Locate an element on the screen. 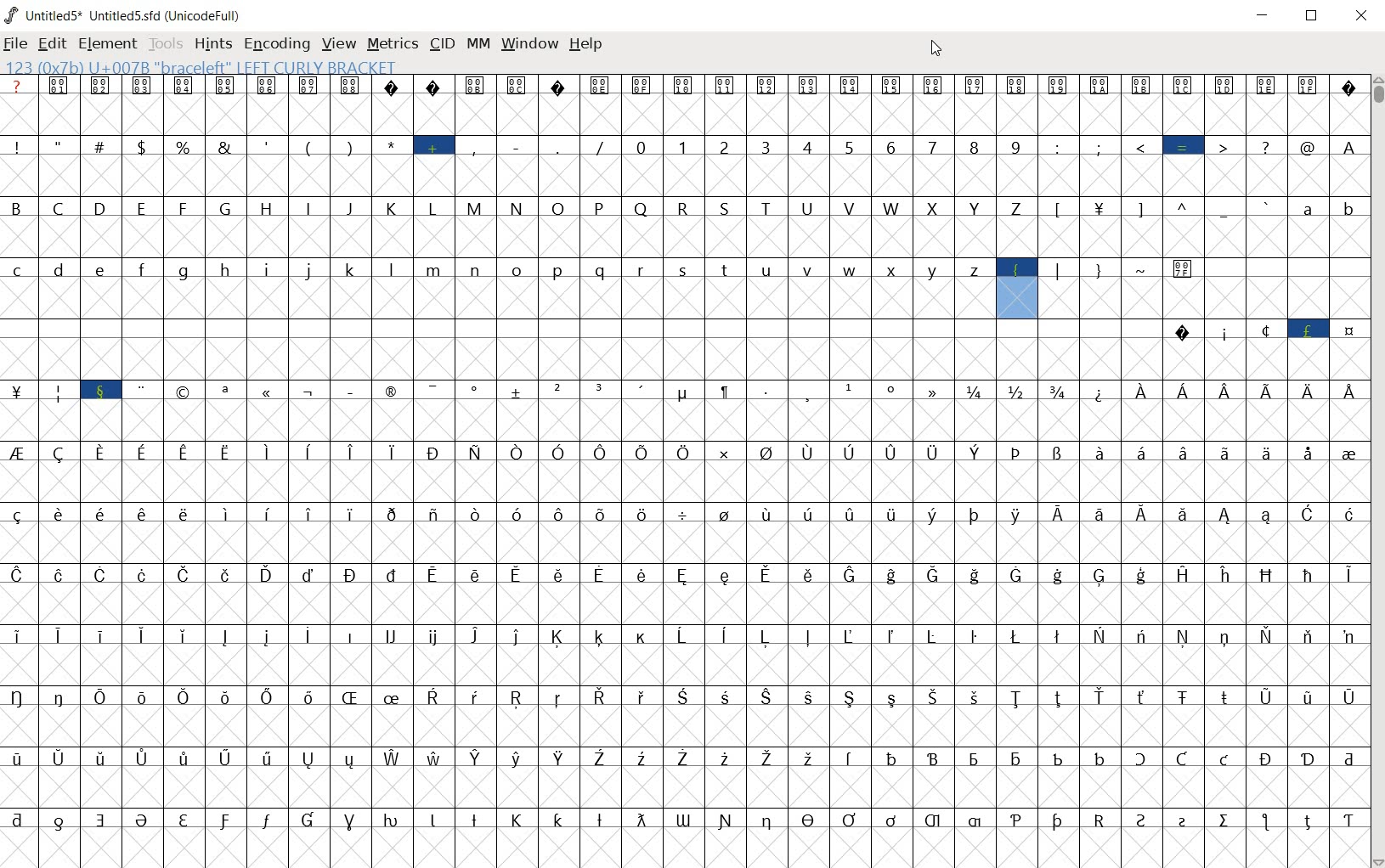 The height and width of the screenshot is (868, 1385). MINIMIZE is located at coordinates (1264, 15).